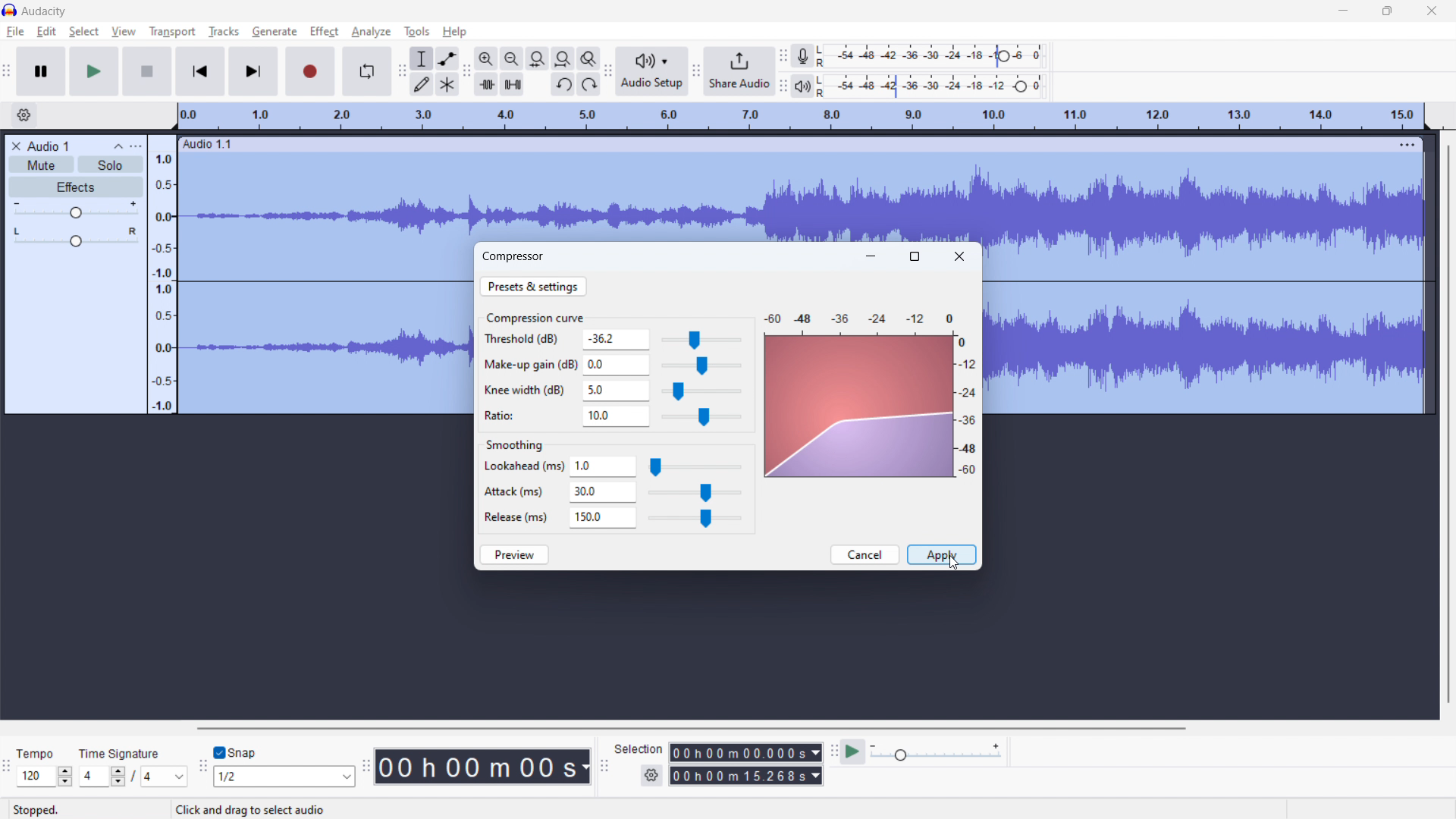  I want to click on 1/2 (select snap), so click(285, 776).